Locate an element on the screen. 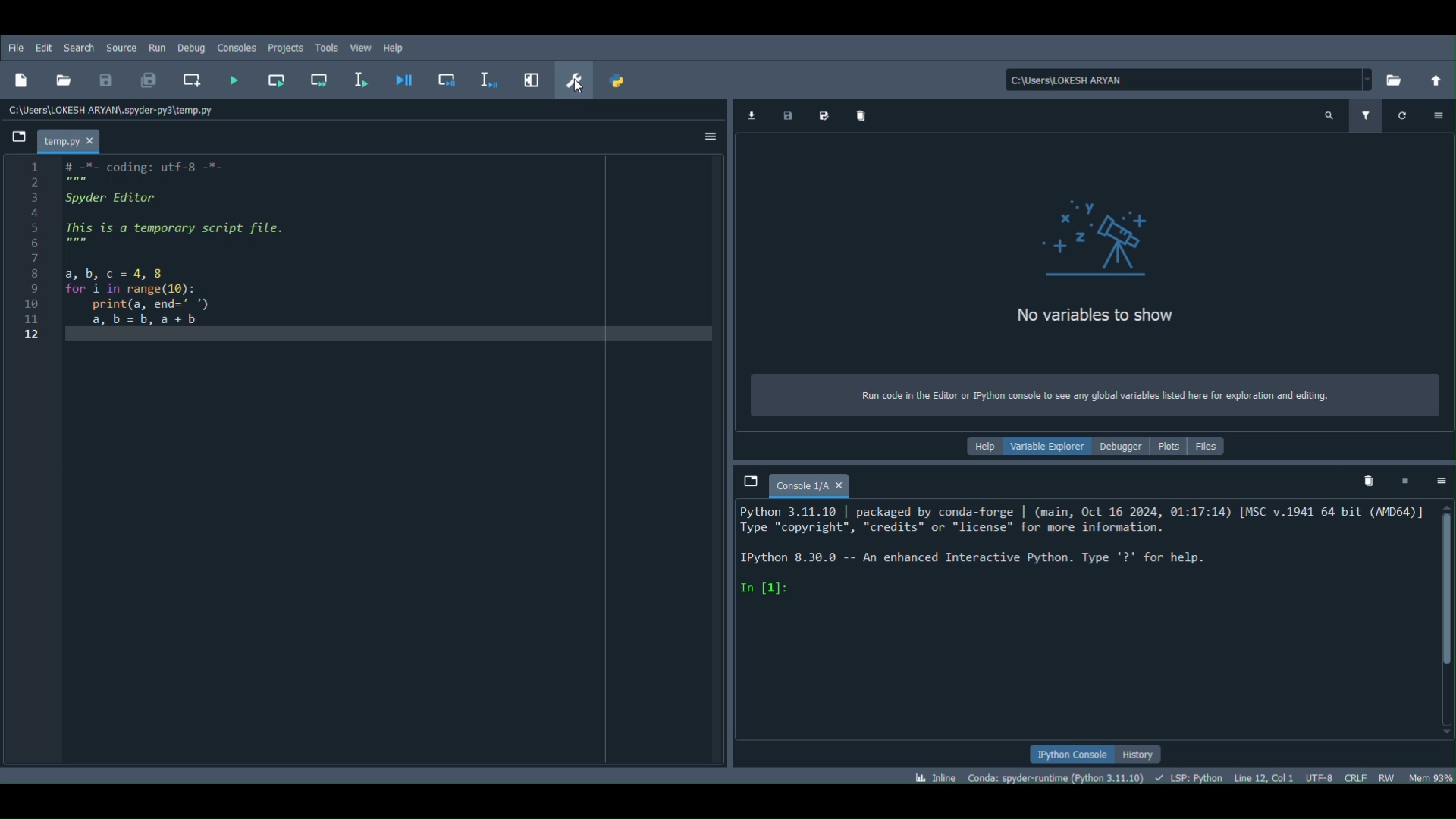  Search variable names and types (Ctrl + F) is located at coordinates (1329, 115).